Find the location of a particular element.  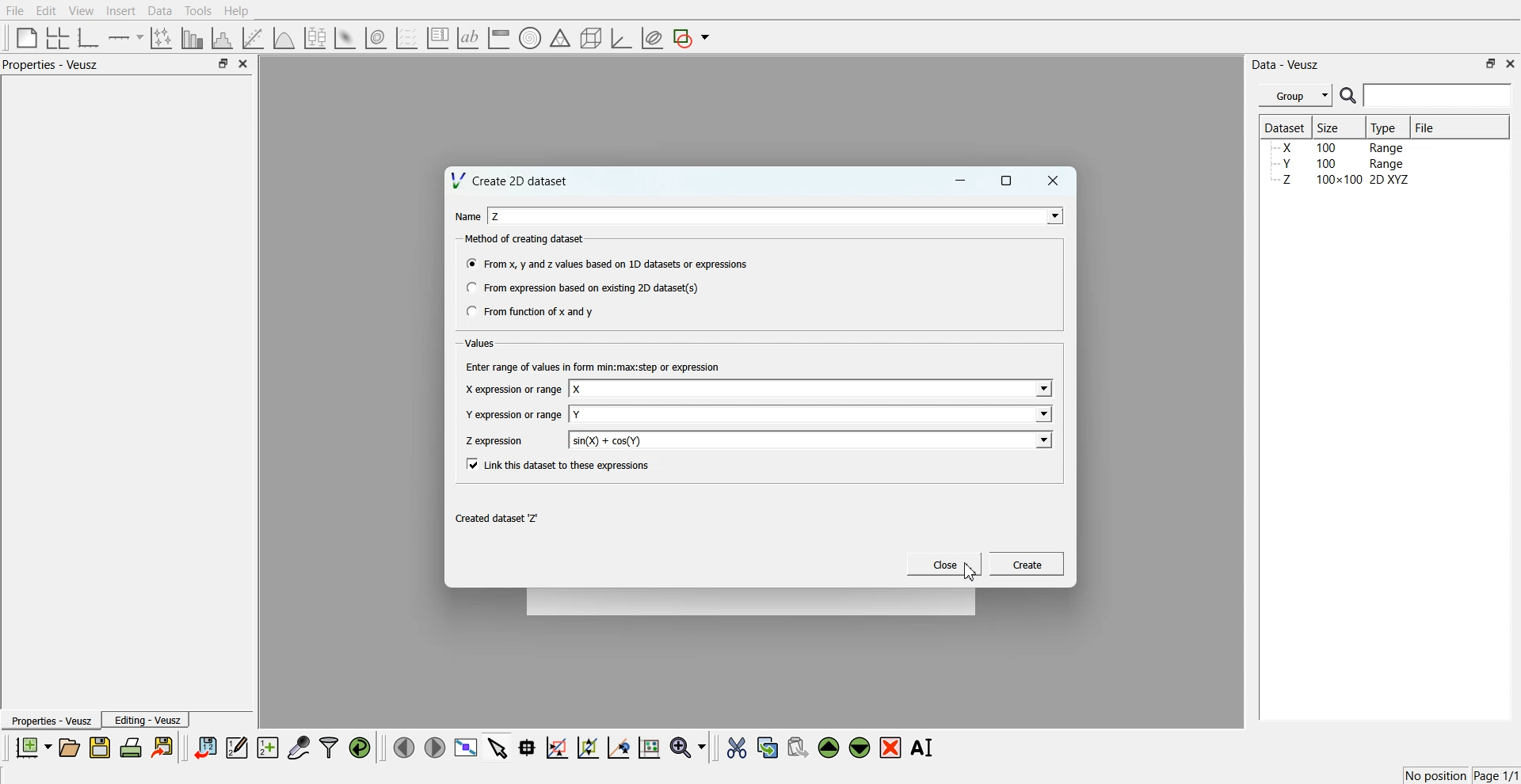

Image color bar is located at coordinates (499, 37).